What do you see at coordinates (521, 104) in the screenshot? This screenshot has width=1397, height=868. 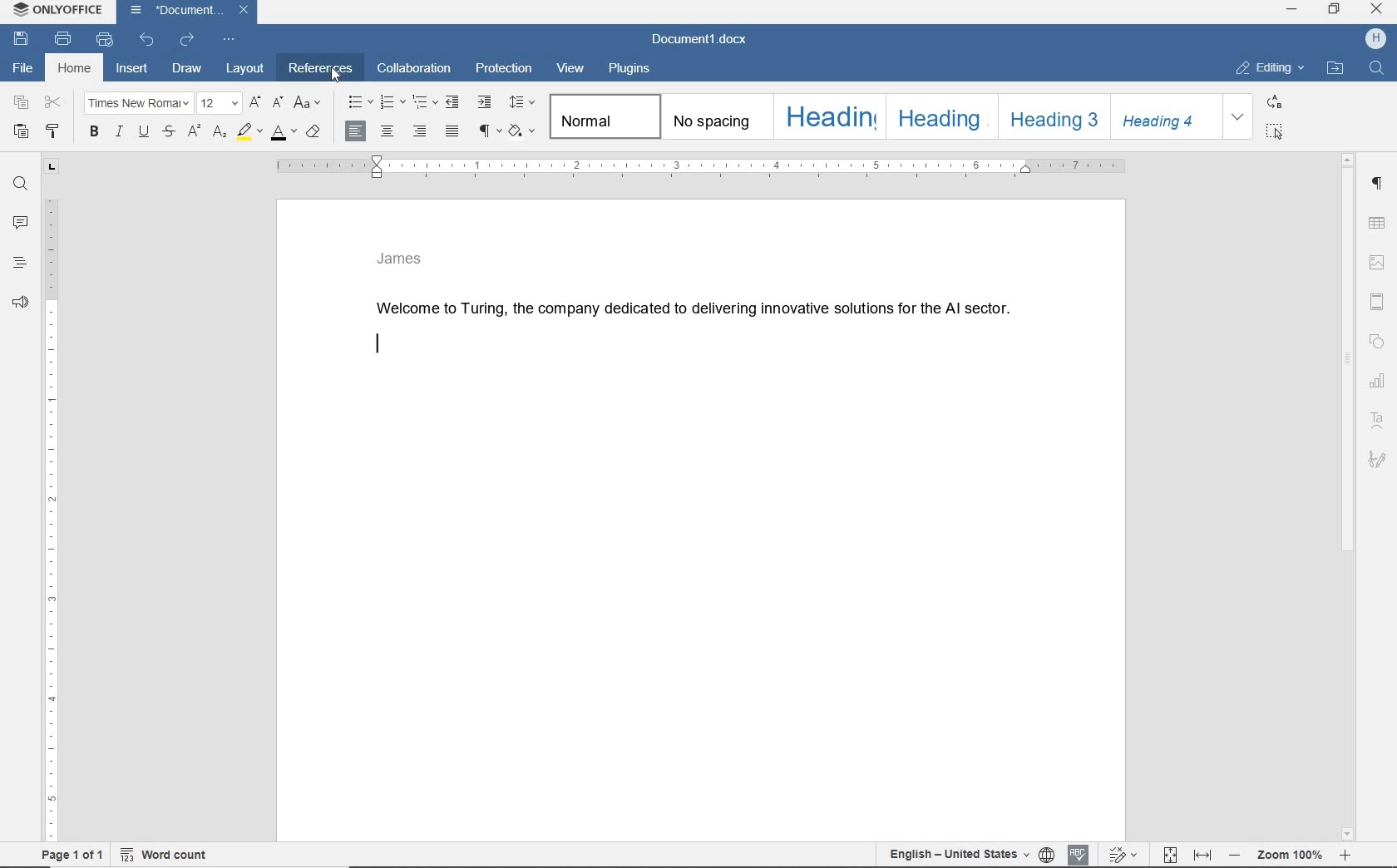 I see `paragraph line spacing` at bounding box center [521, 104].